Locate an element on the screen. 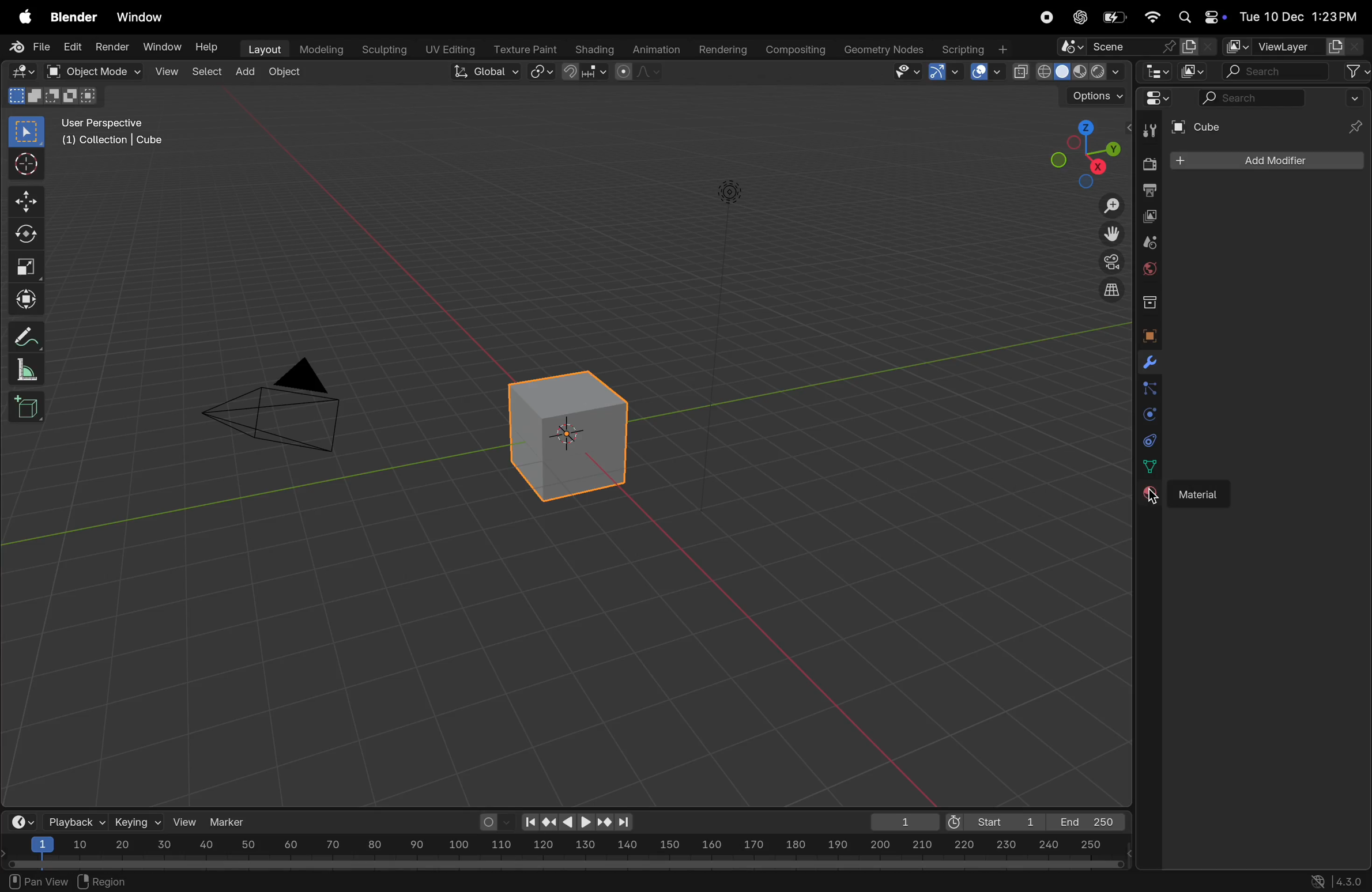 The height and width of the screenshot is (892, 1372). region is located at coordinates (105, 879).